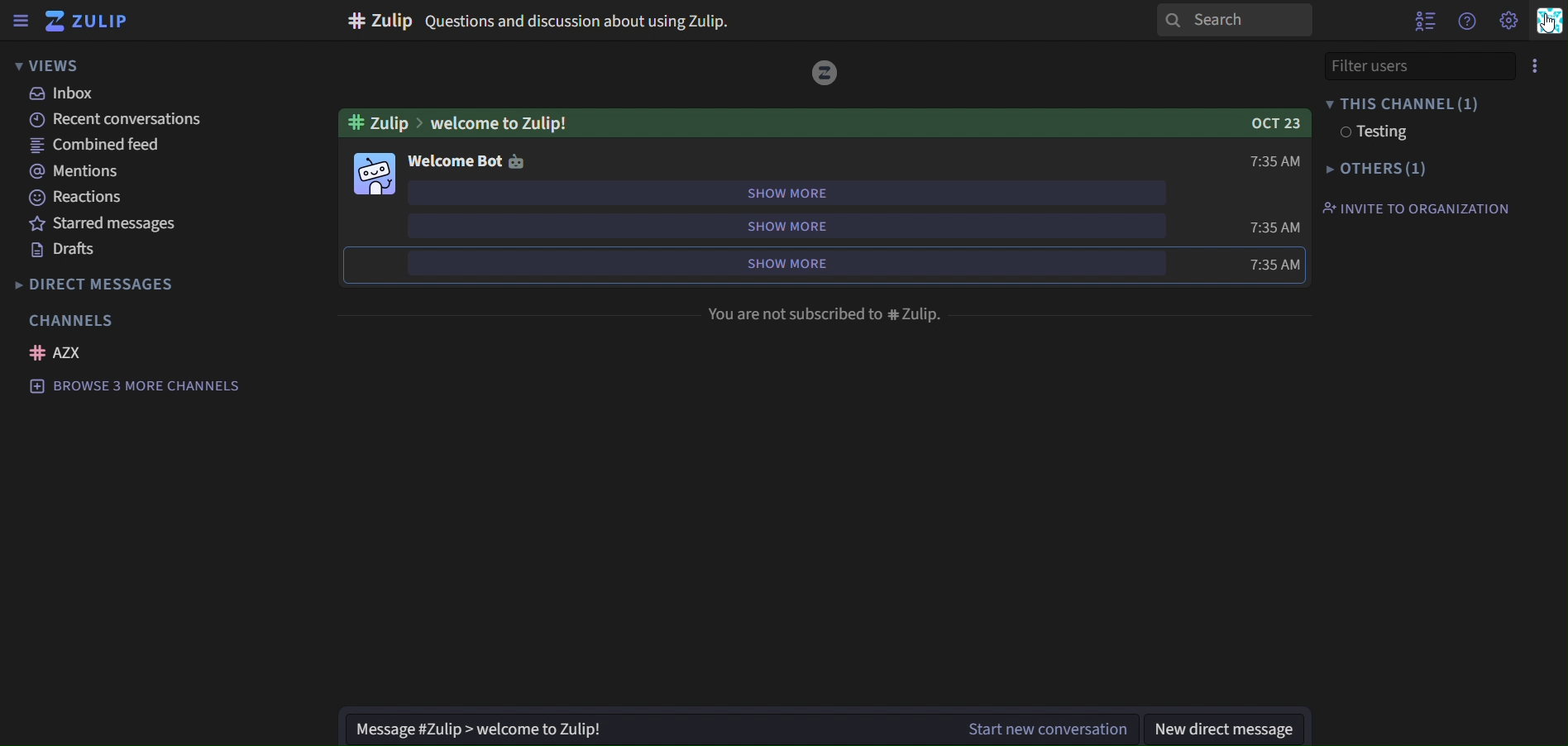  Describe the element at coordinates (1415, 65) in the screenshot. I see `filter users` at that location.